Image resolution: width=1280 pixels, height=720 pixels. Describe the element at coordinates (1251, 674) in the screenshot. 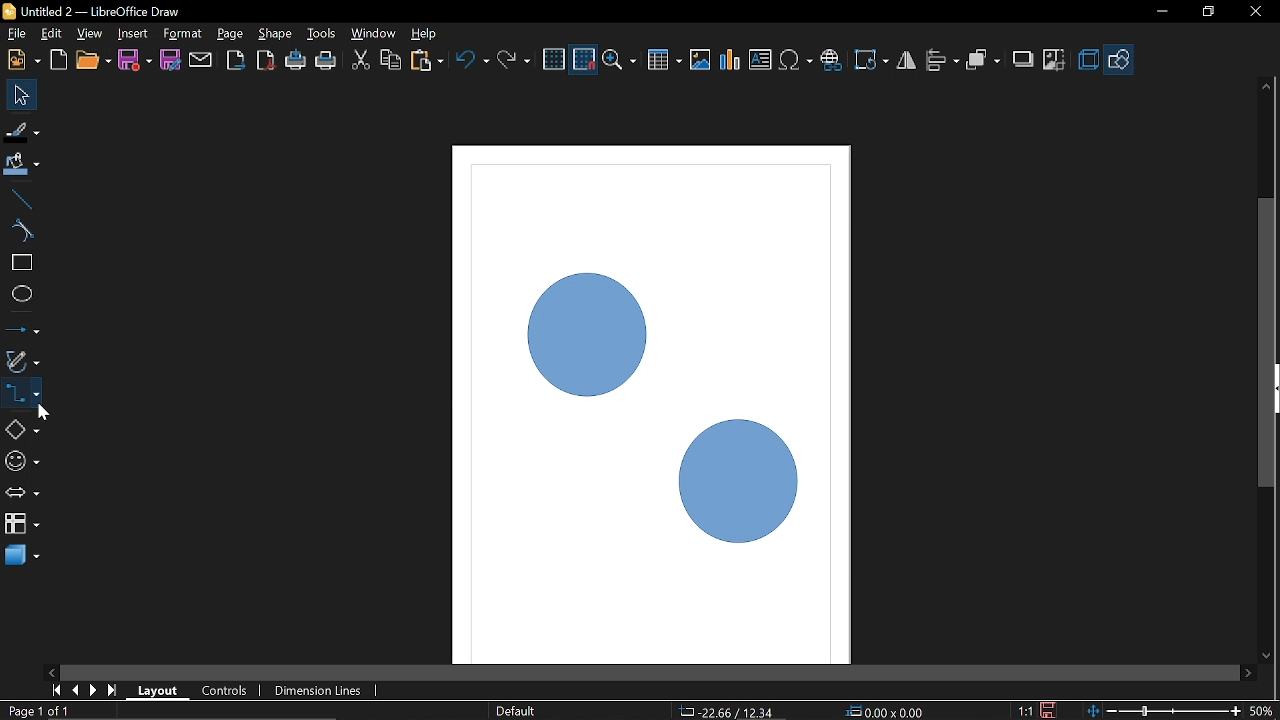

I see `Move right` at that location.